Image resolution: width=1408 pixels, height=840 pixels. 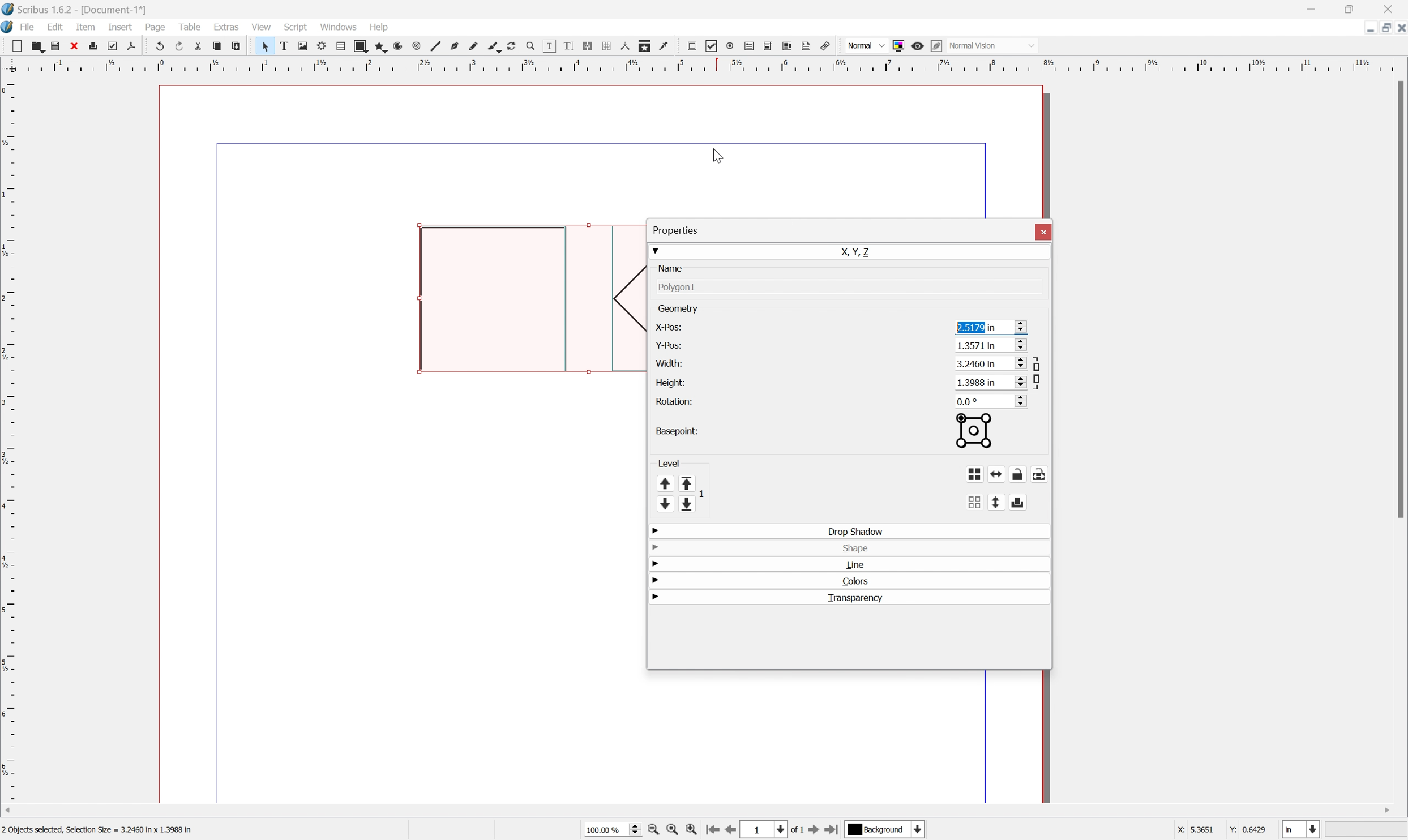 I want to click on Rectangle, so click(x=505, y=301).